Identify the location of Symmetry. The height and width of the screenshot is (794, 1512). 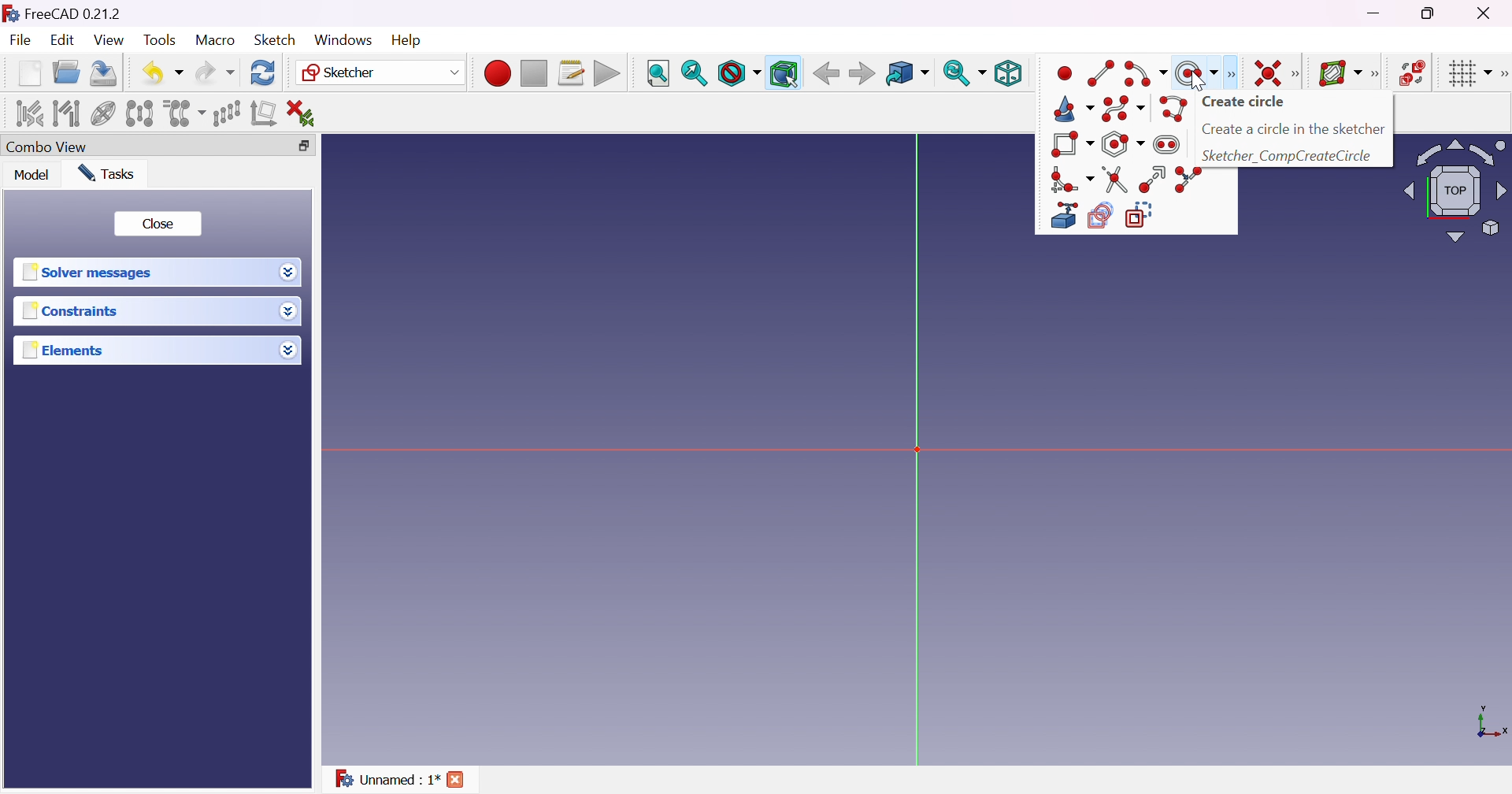
(139, 114).